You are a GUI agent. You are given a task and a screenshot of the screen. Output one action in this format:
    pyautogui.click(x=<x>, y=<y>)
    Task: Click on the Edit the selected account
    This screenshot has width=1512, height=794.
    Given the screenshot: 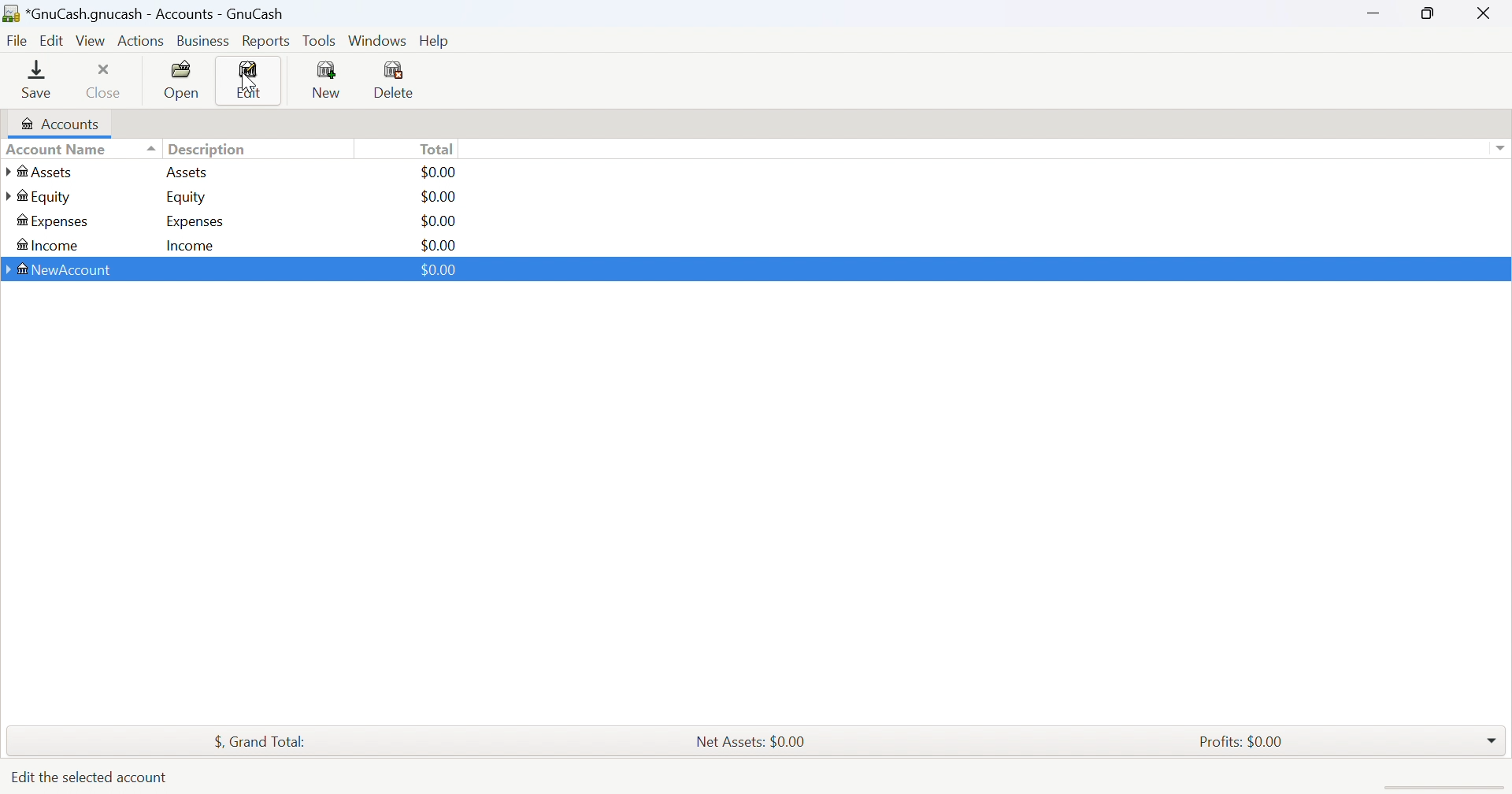 What is the action you would take?
    pyautogui.click(x=91, y=775)
    